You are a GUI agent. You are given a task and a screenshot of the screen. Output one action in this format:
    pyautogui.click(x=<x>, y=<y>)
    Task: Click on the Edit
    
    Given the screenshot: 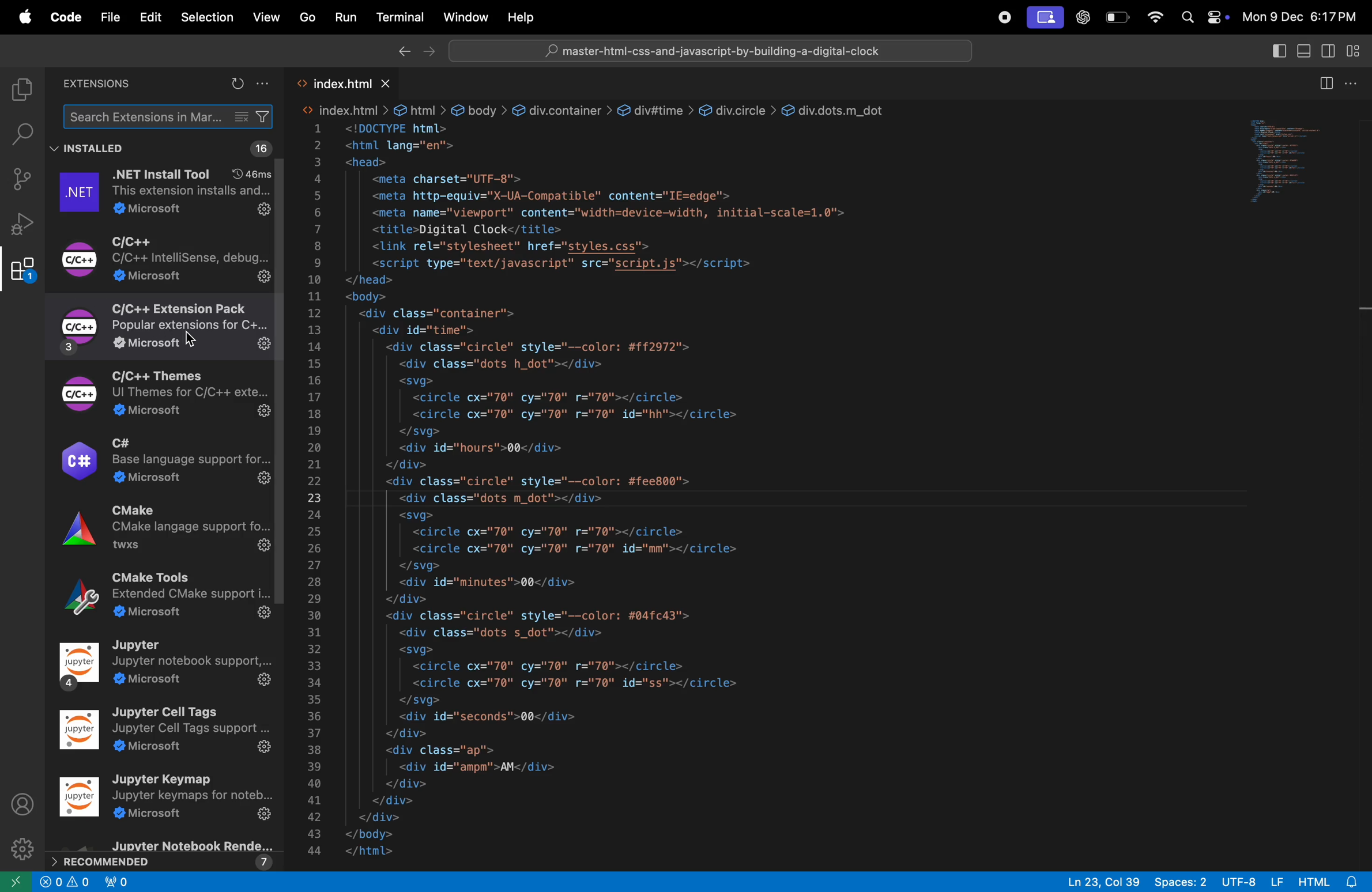 What is the action you would take?
    pyautogui.click(x=147, y=17)
    